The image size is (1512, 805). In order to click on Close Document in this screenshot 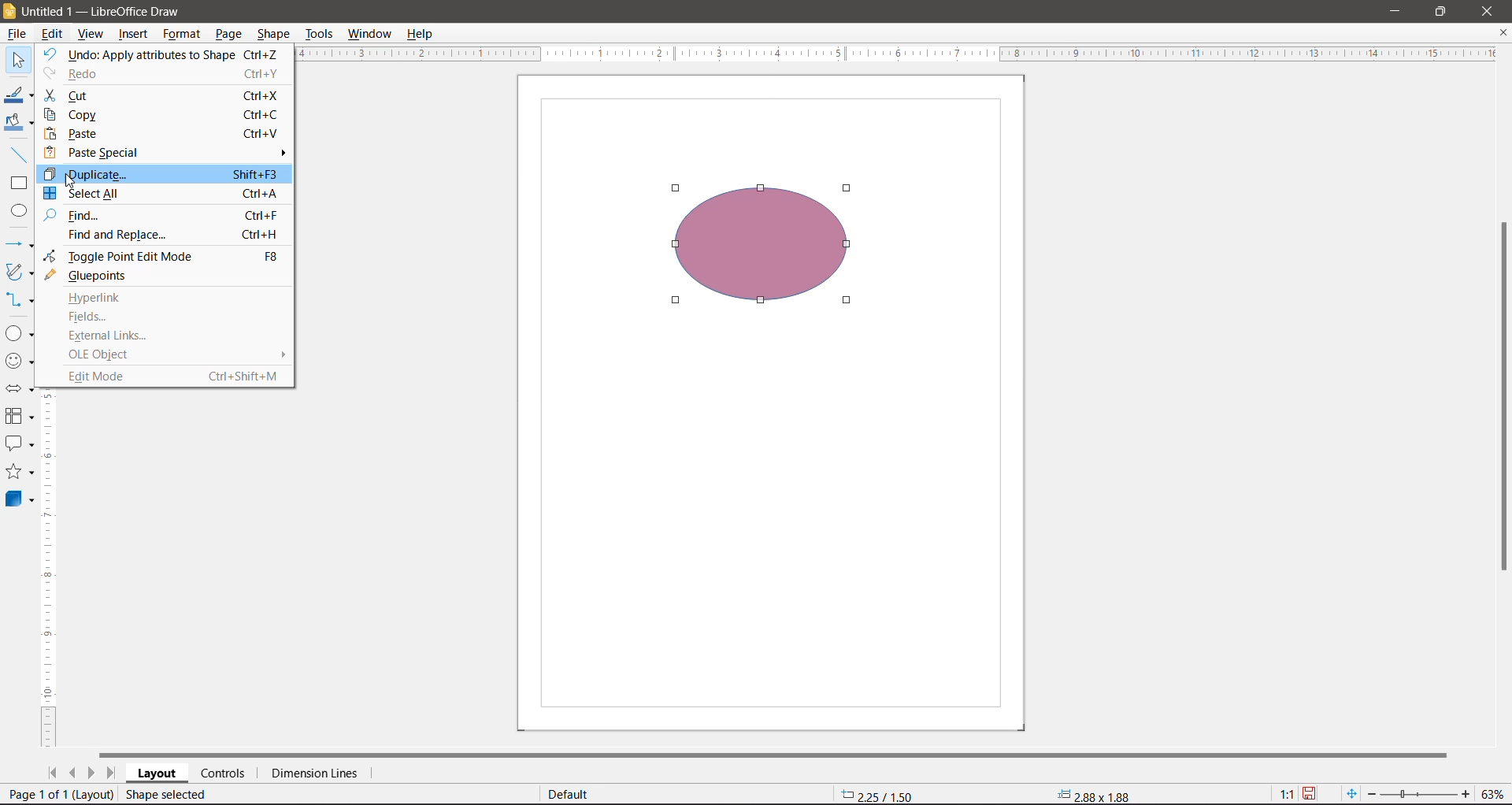, I will do `click(1503, 33)`.